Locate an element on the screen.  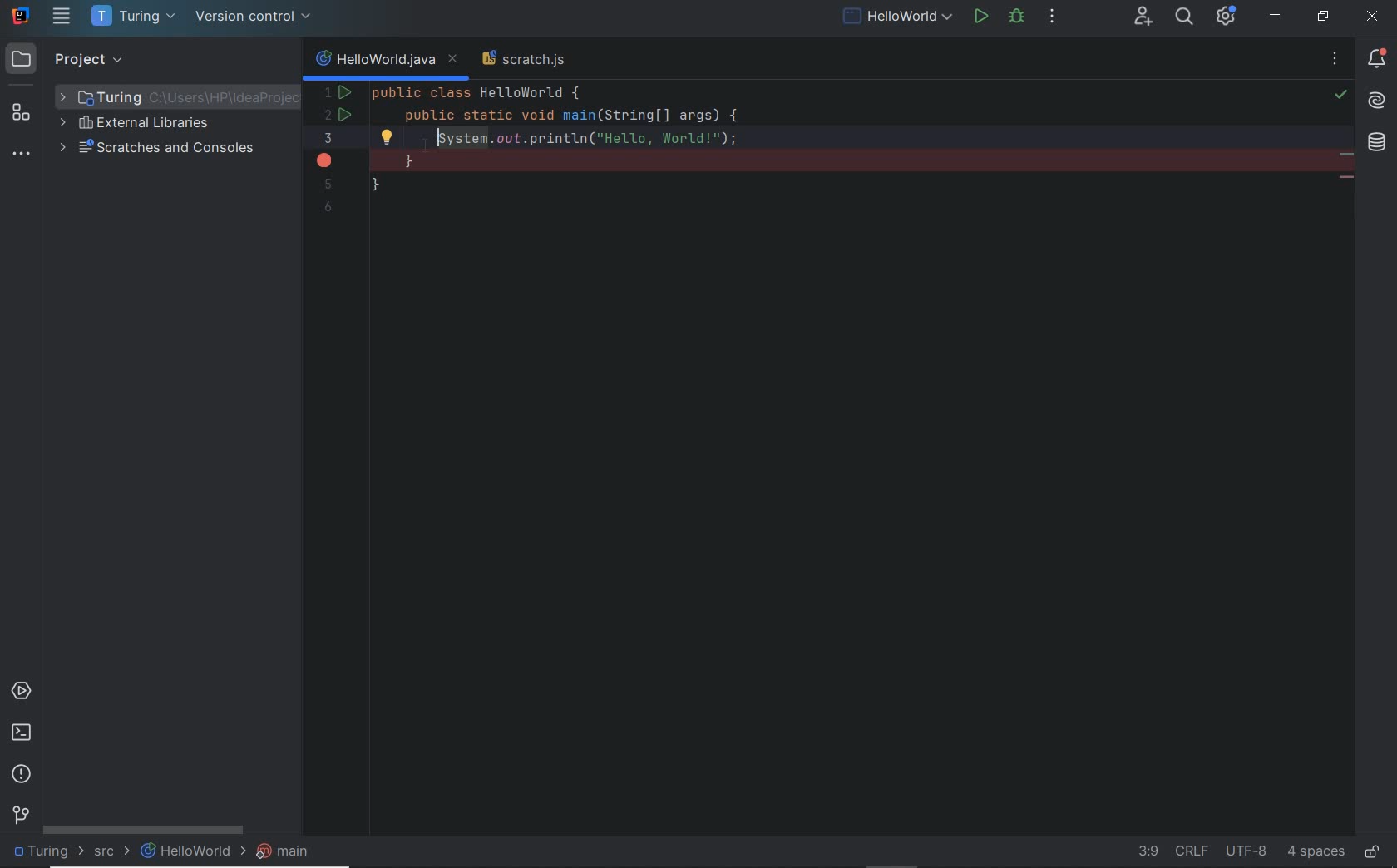
notifications is located at coordinates (1374, 56).